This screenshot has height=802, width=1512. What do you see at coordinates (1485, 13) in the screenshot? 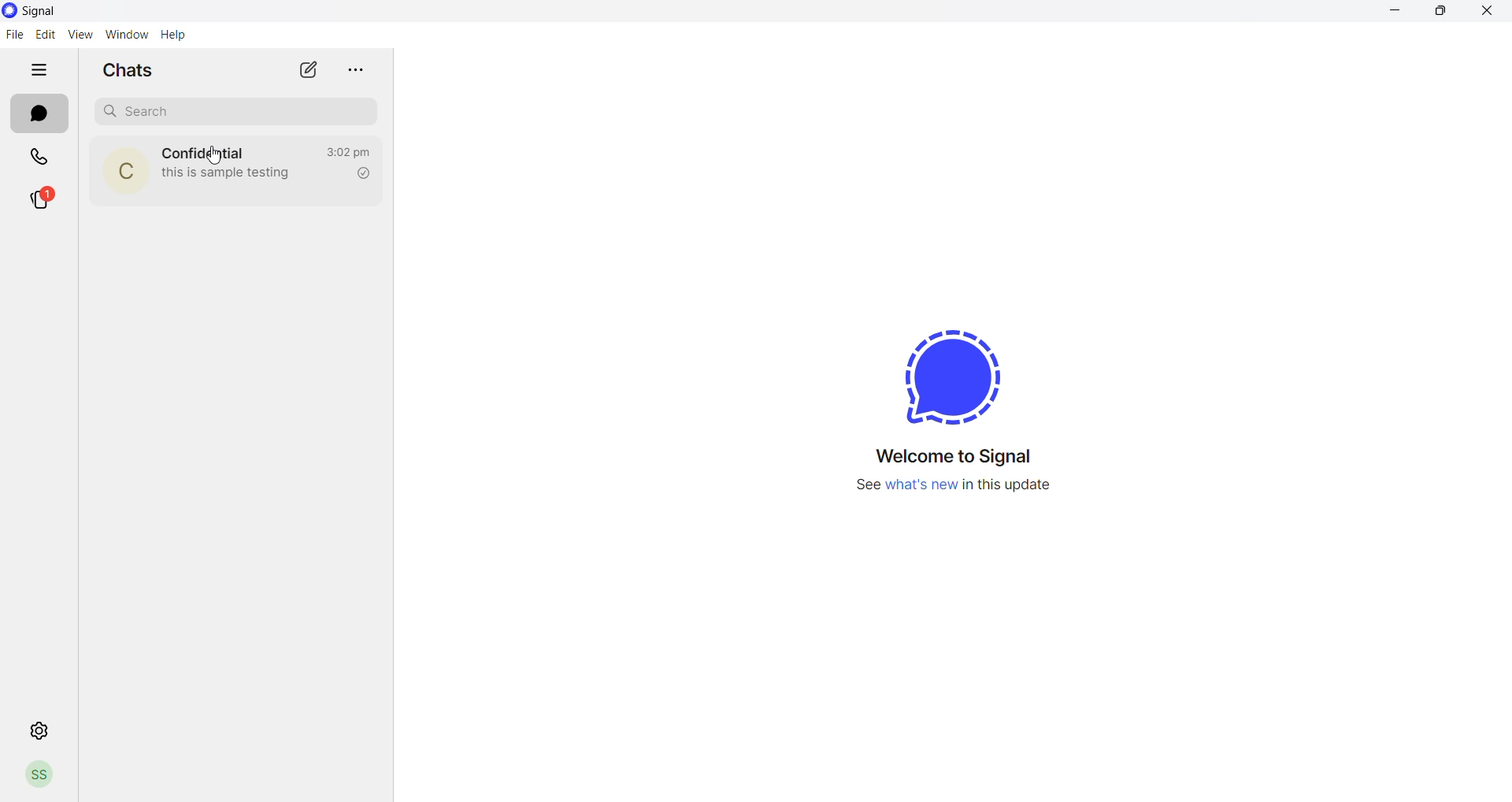
I see `close` at bounding box center [1485, 13].